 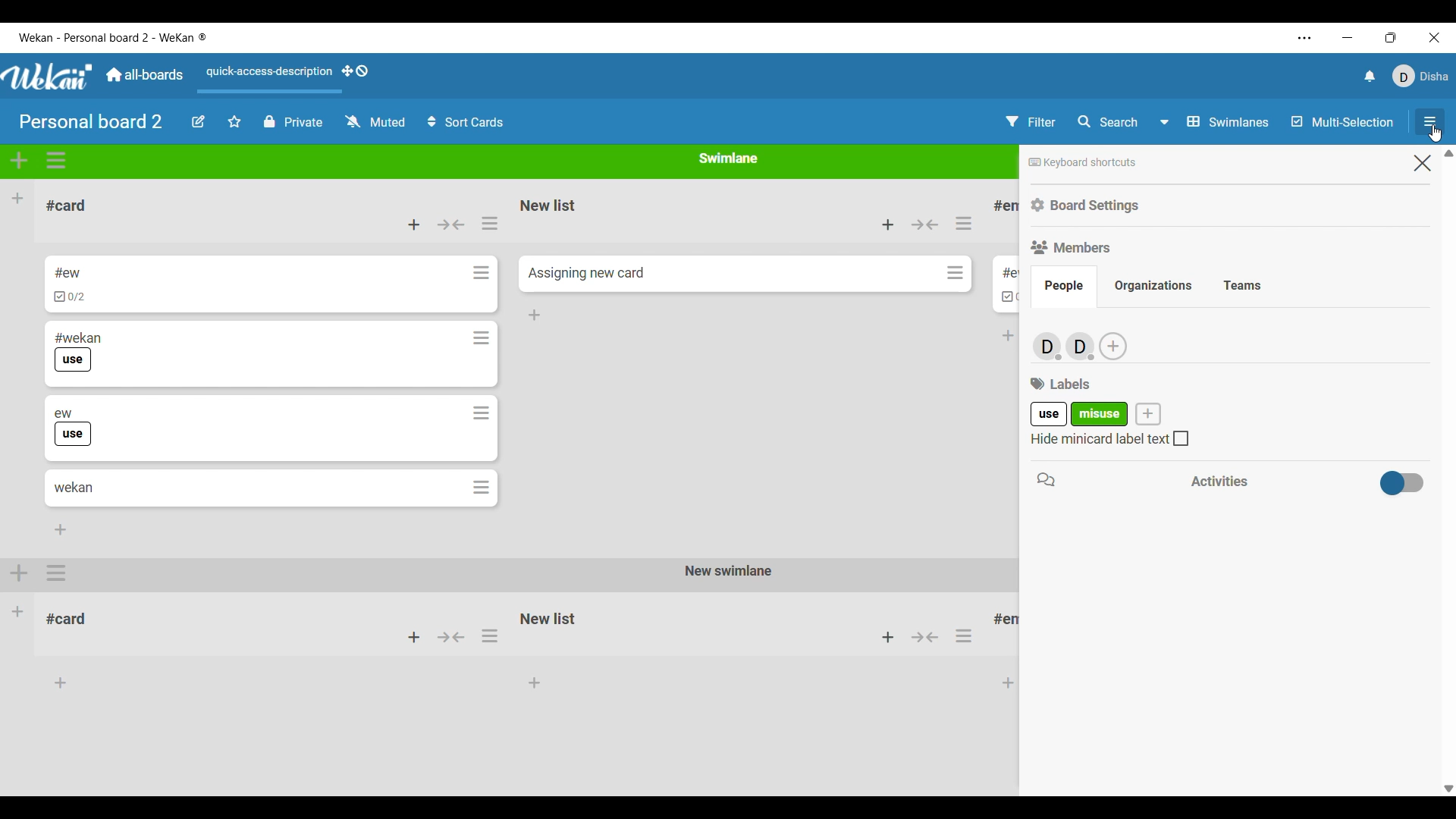 What do you see at coordinates (1003, 273) in the screenshot?
I see `List name ` at bounding box center [1003, 273].